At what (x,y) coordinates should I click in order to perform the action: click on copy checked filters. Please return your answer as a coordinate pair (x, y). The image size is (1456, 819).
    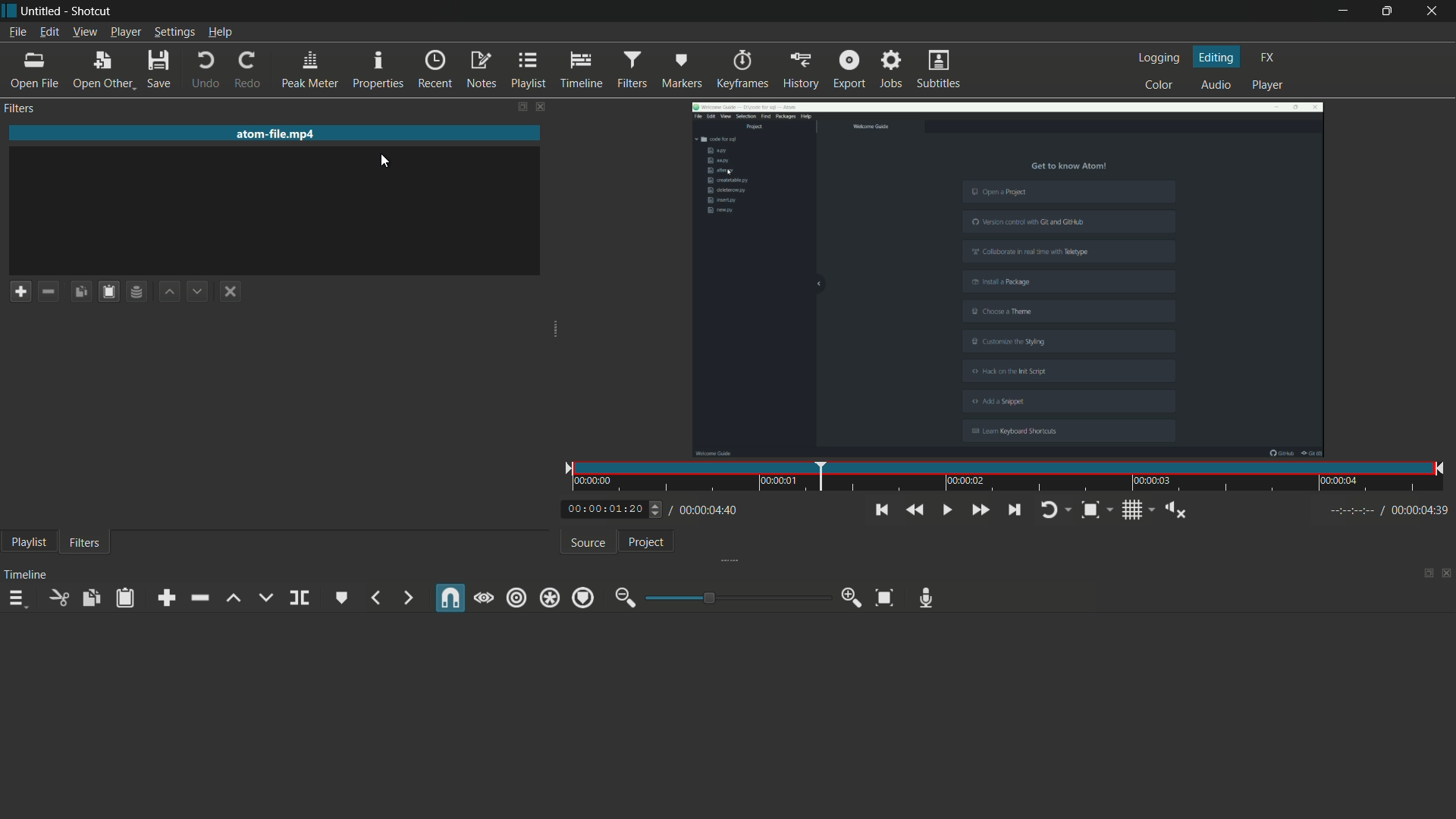
    Looking at the image, I should click on (80, 290).